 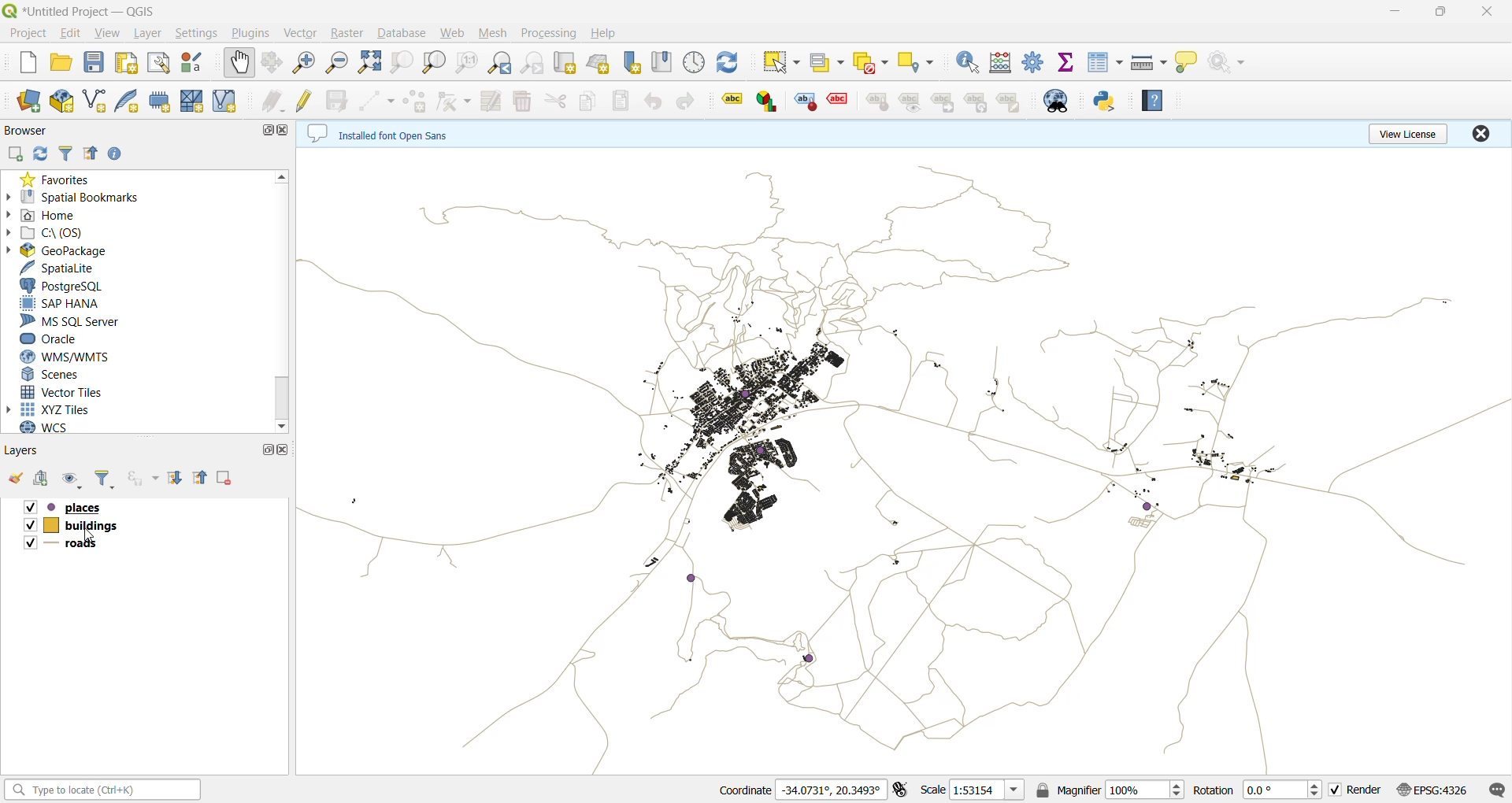 I want to click on mesh, so click(x=495, y=34).